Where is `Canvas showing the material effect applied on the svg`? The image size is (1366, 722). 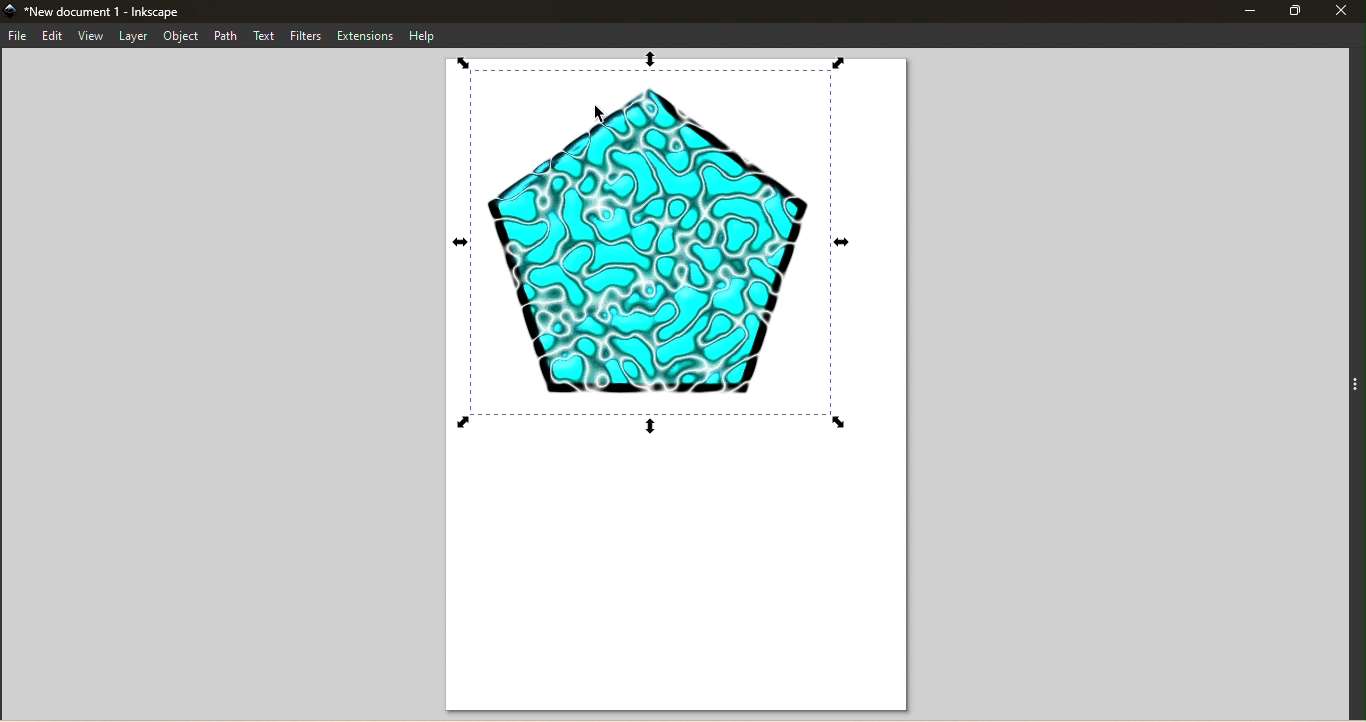
Canvas showing the material effect applied on the svg is located at coordinates (682, 383).